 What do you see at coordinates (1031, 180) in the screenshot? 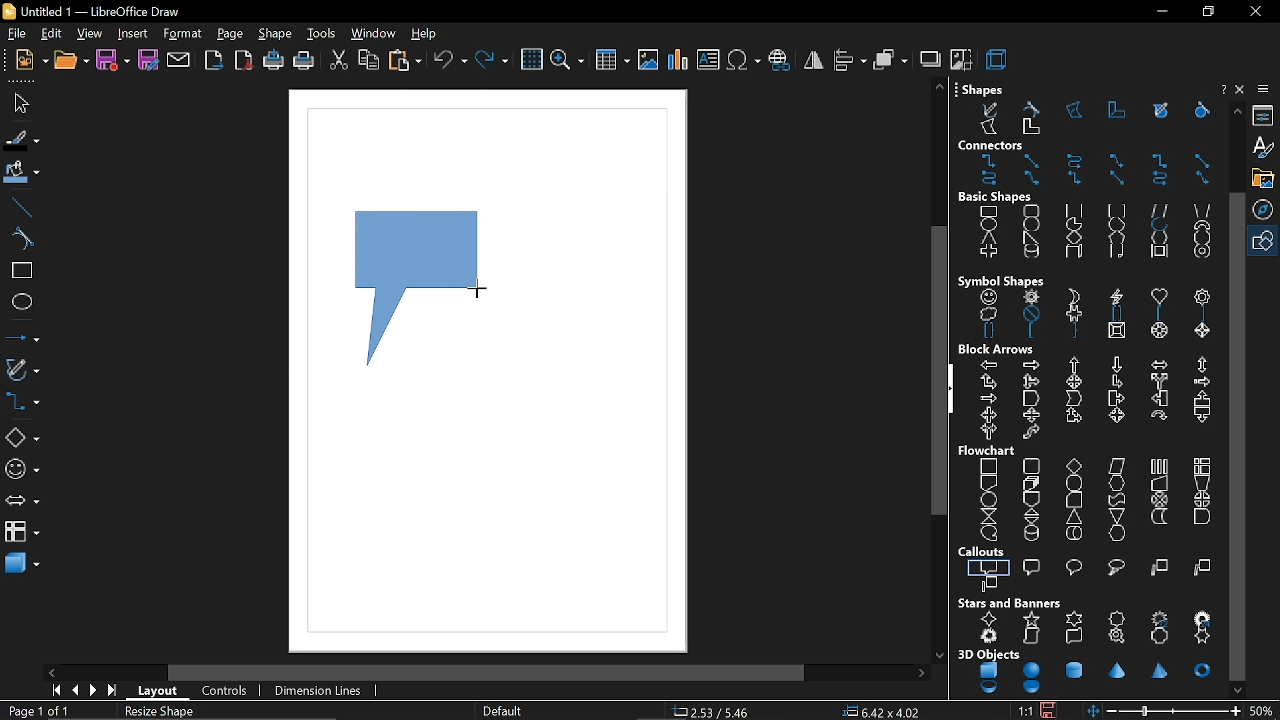
I see `line connector` at bounding box center [1031, 180].